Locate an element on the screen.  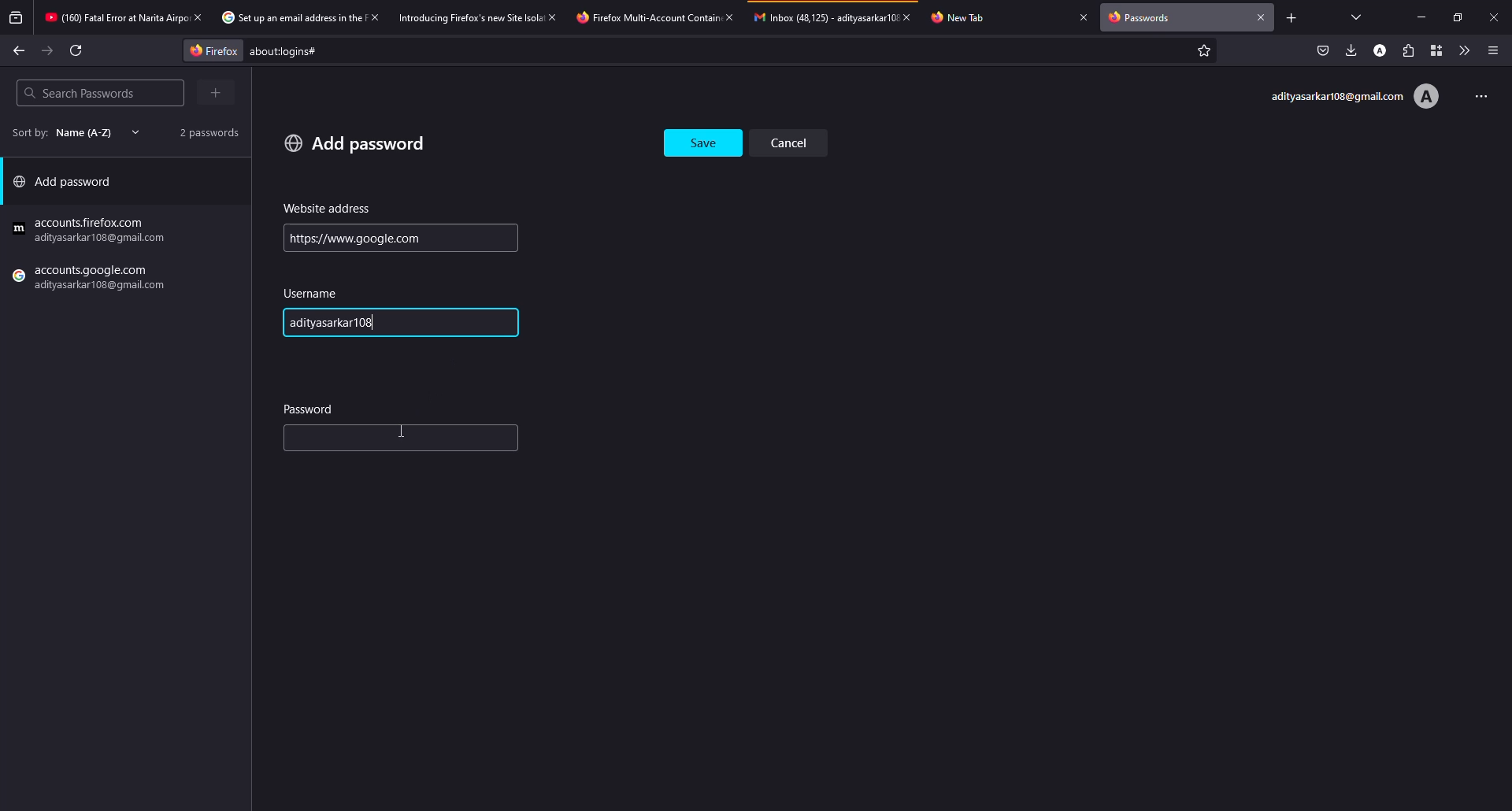
userame is located at coordinates (315, 294).